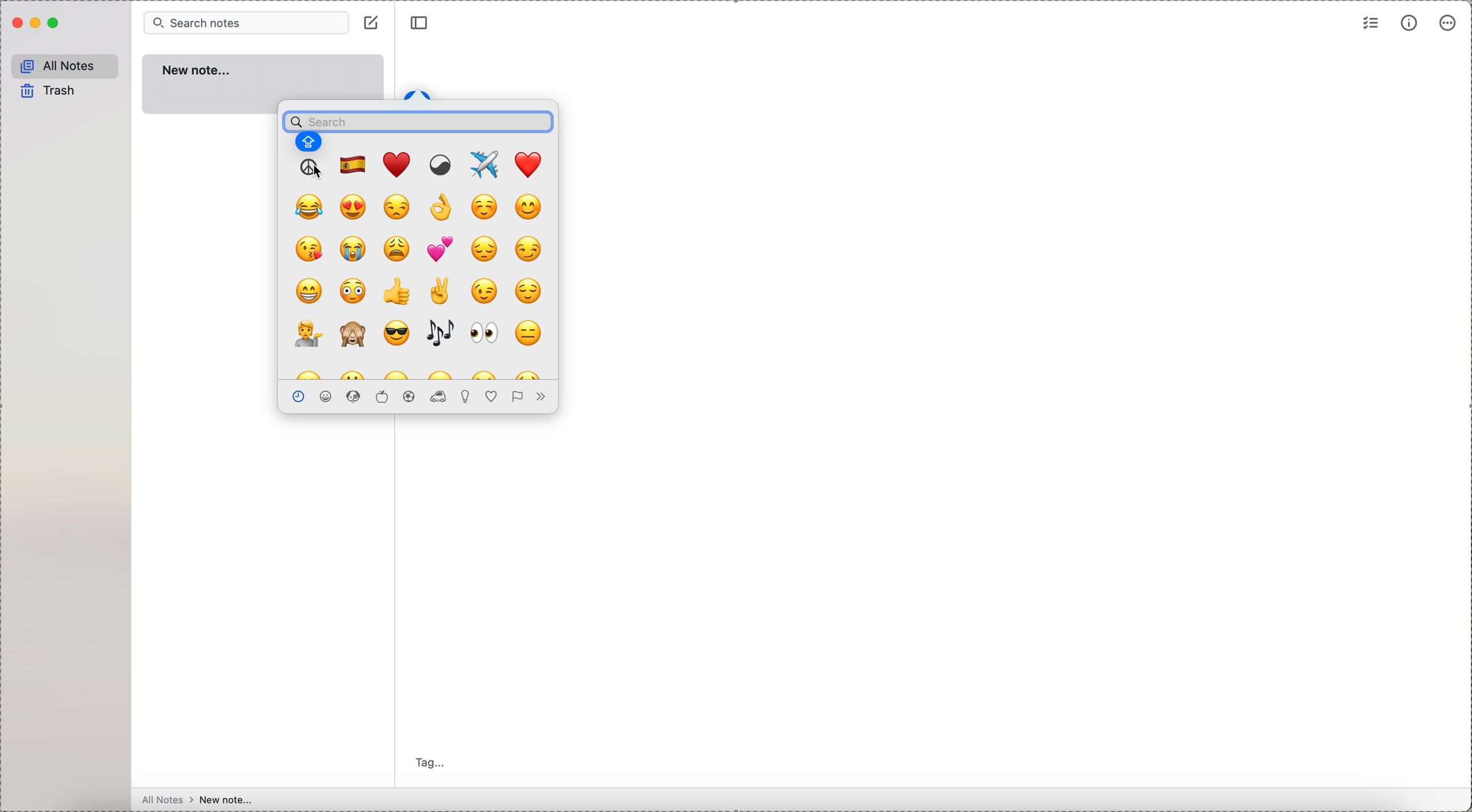 The width and height of the screenshot is (1472, 812). What do you see at coordinates (354, 292) in the screenshot?
I see `emoji` at bounding box center [354, 292].